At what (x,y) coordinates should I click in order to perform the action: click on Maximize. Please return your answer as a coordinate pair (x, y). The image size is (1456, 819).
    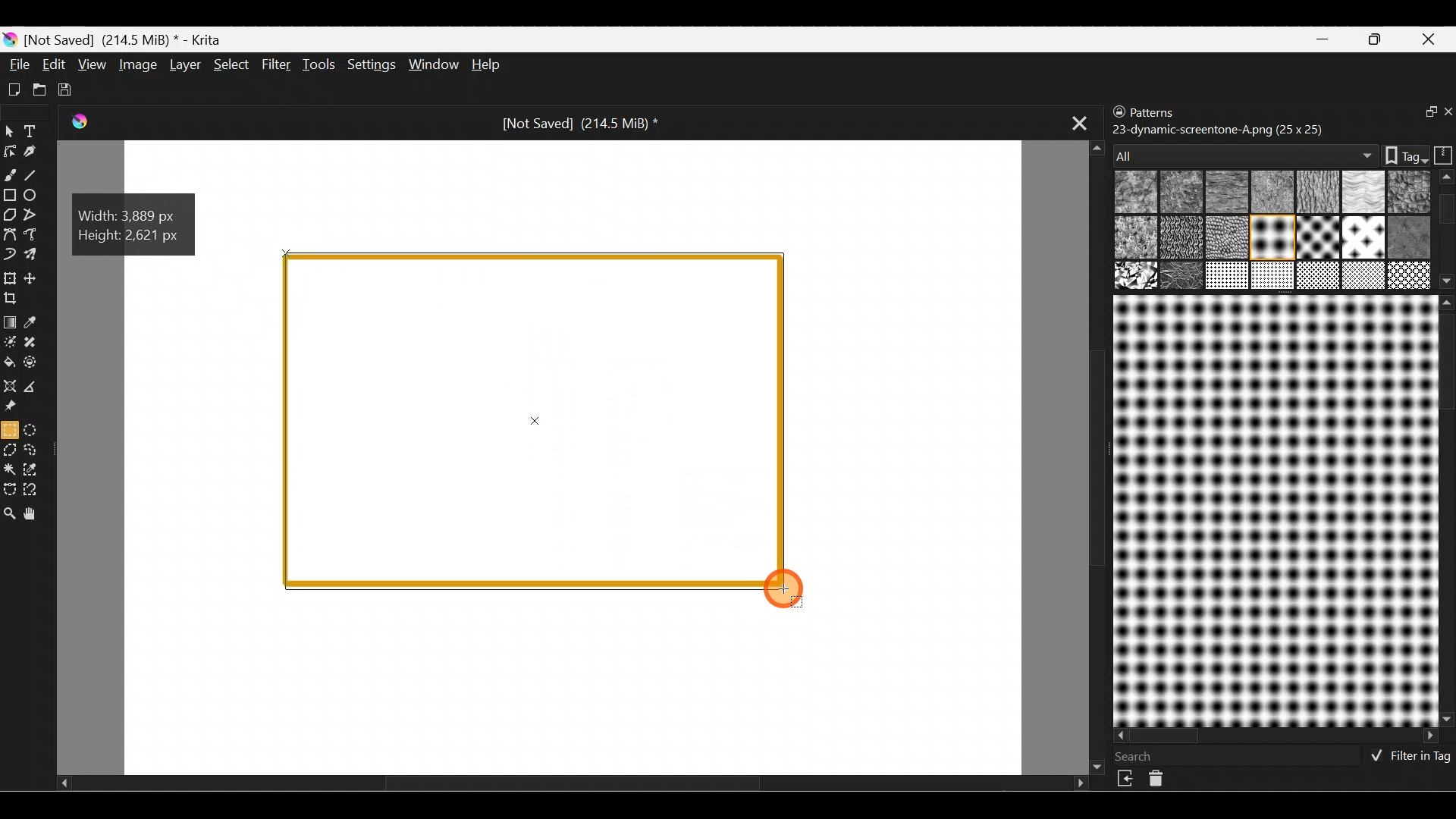
    Looking at the image, I should click on (1379, 39).